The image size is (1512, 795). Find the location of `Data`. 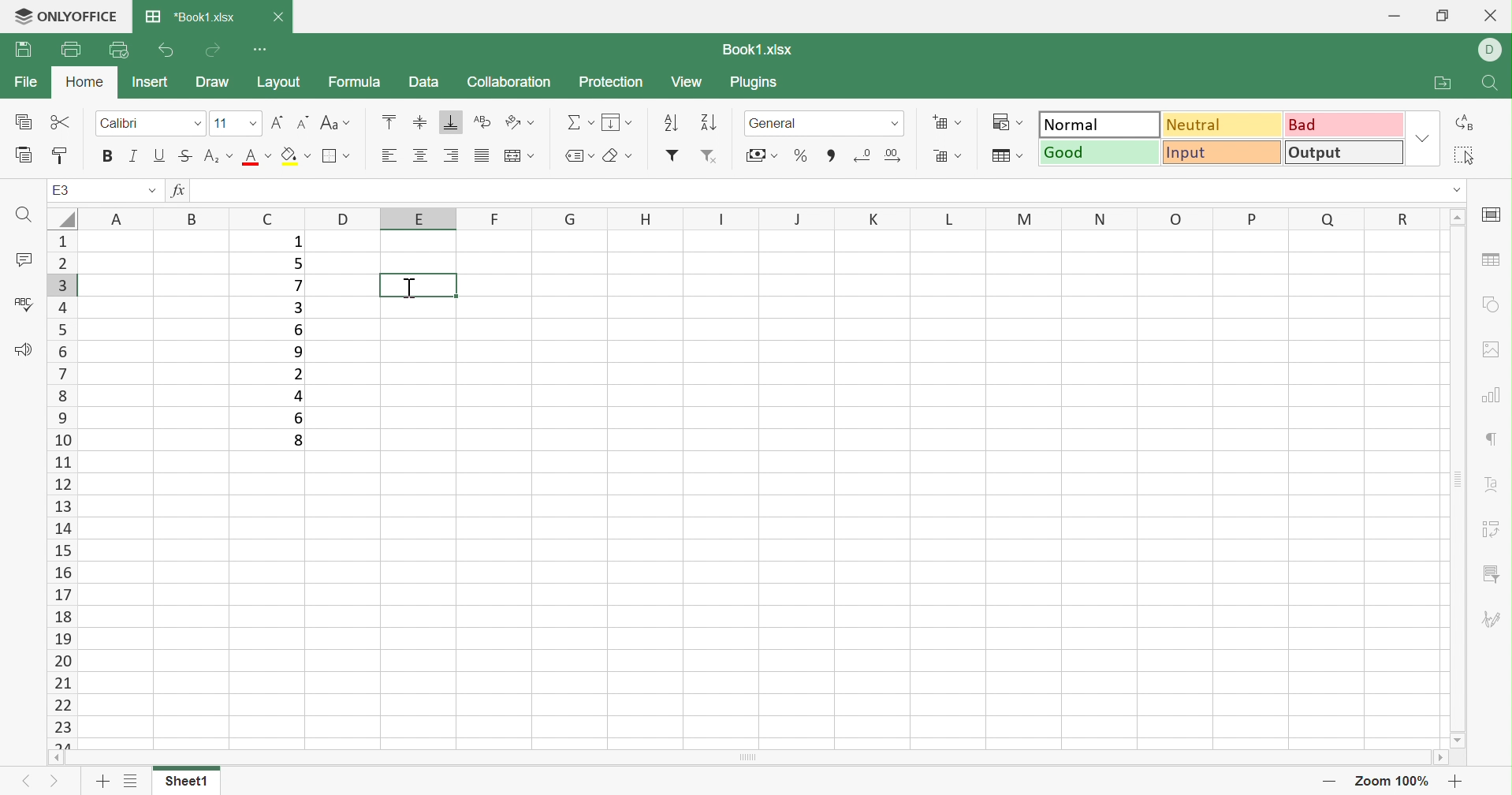

Data is located at coordinates (427, 82).